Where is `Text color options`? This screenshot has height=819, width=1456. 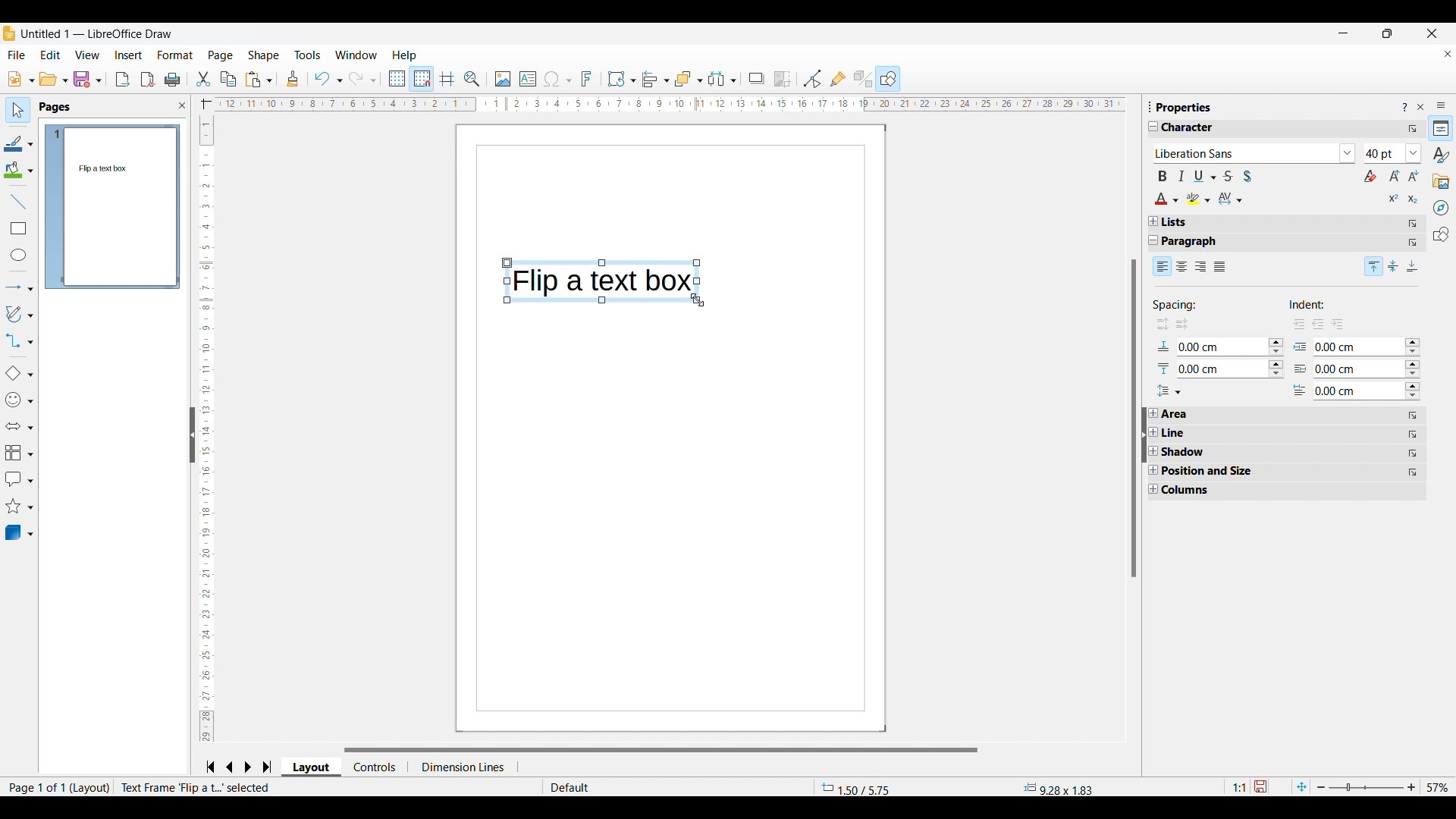
Text color options is located at coordinates (1167, 199).